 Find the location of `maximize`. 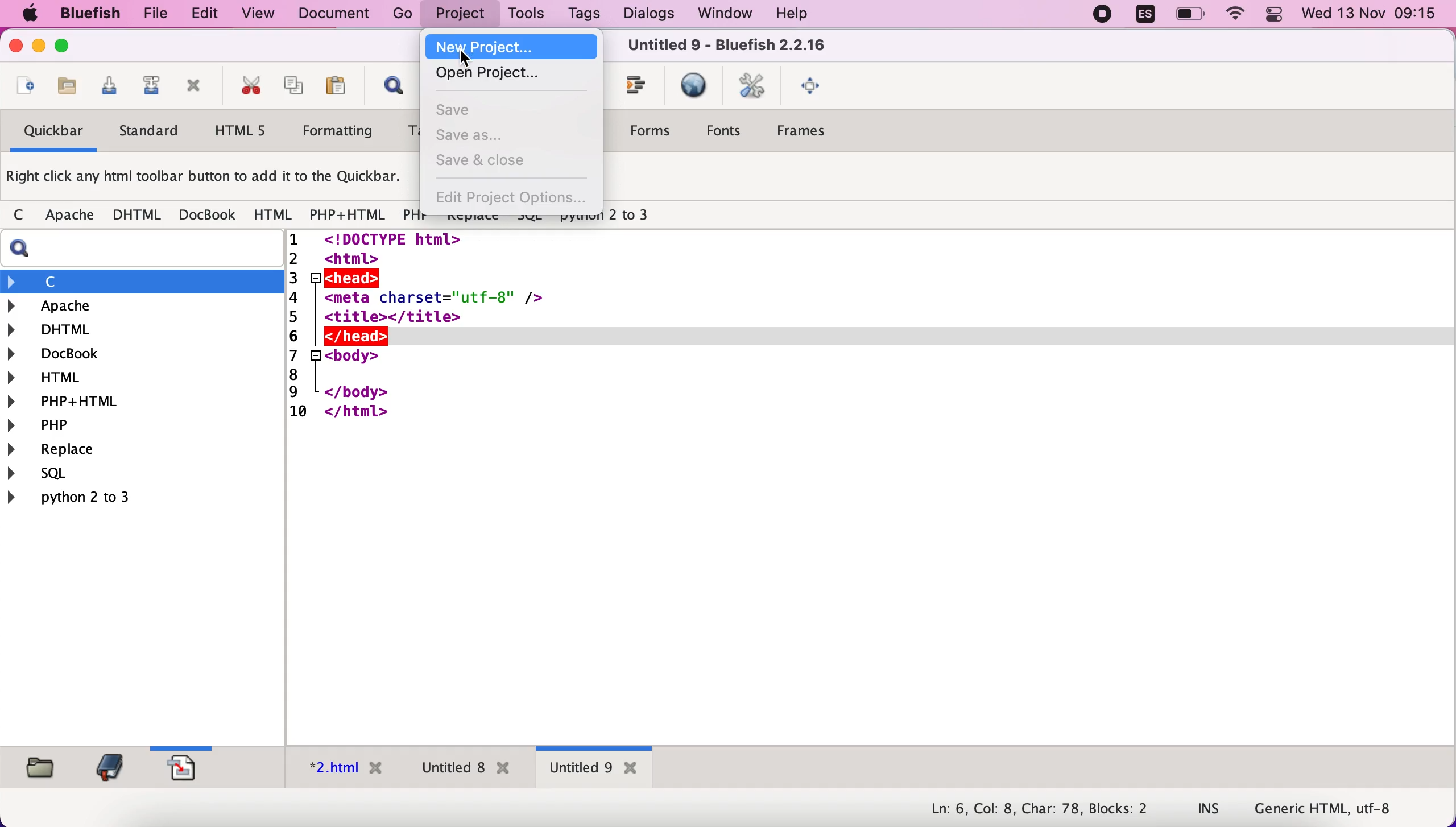

maximize is located at coordinates (63, 48).